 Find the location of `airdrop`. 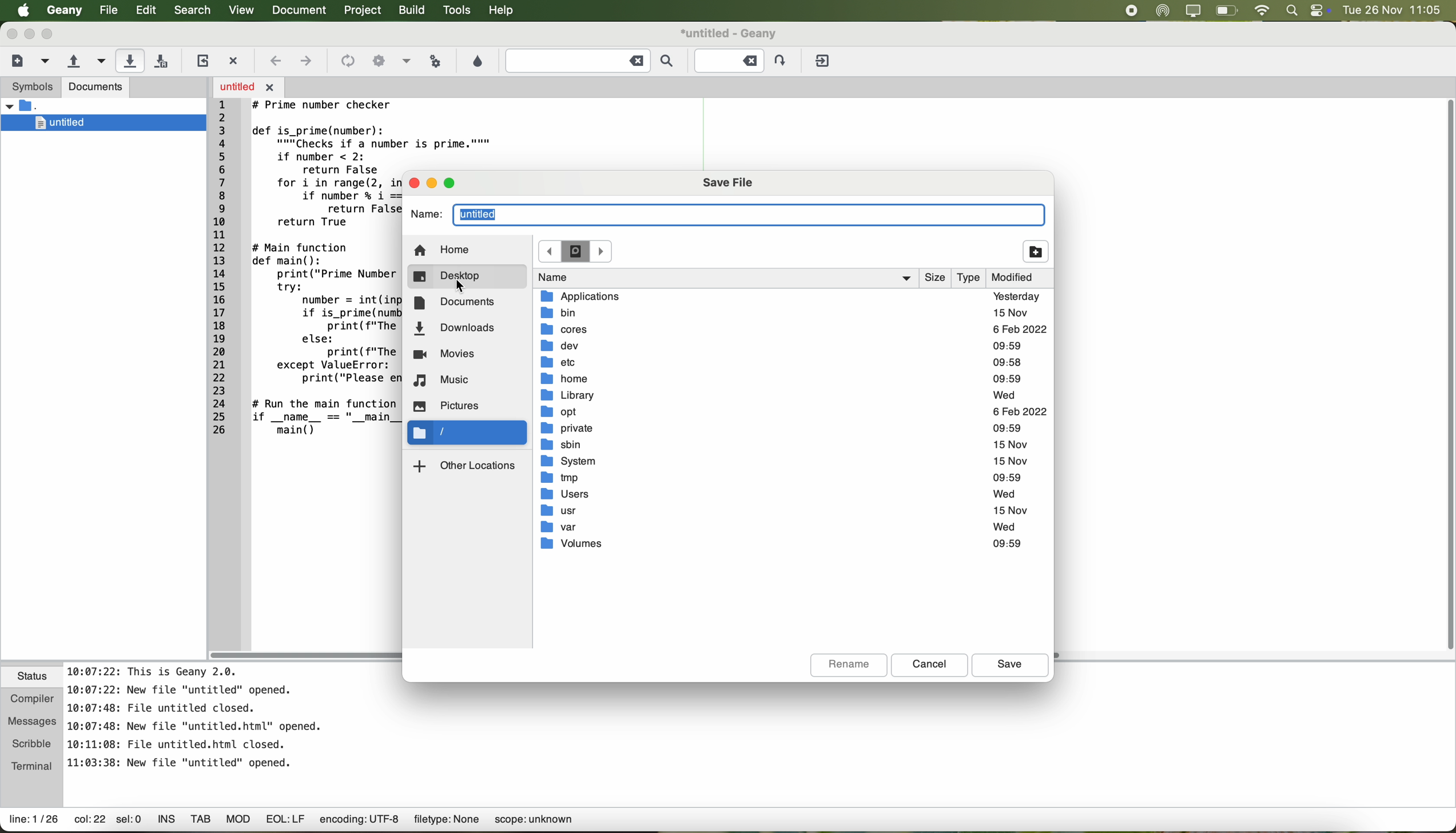

airdrop is located at coordinates (1163, 11).